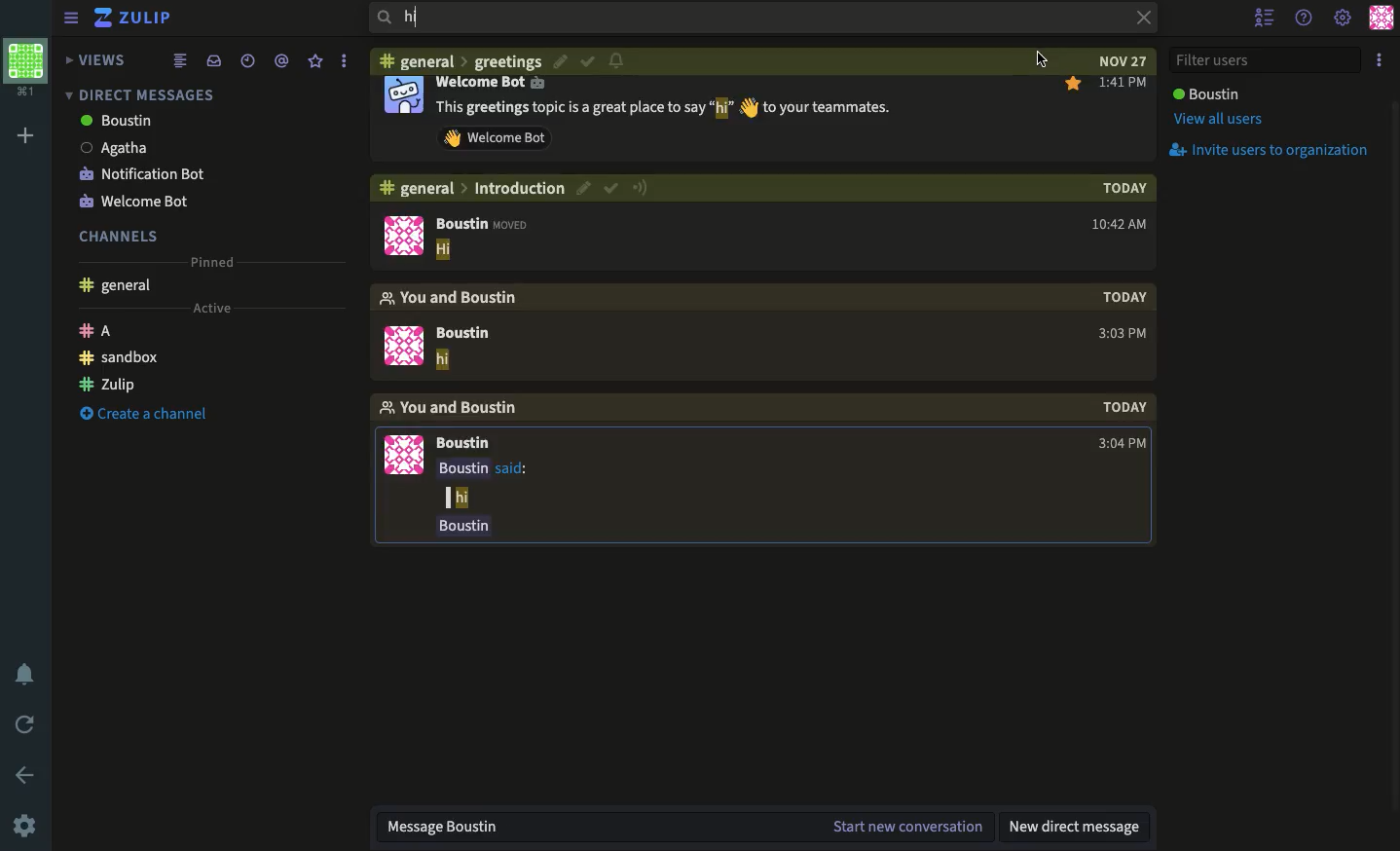 Image resolution: width=1400 pixels, height=851 pixels. Describe the element at coordinates (1079, 830) in the screenshot. I see `New DM` at that location.